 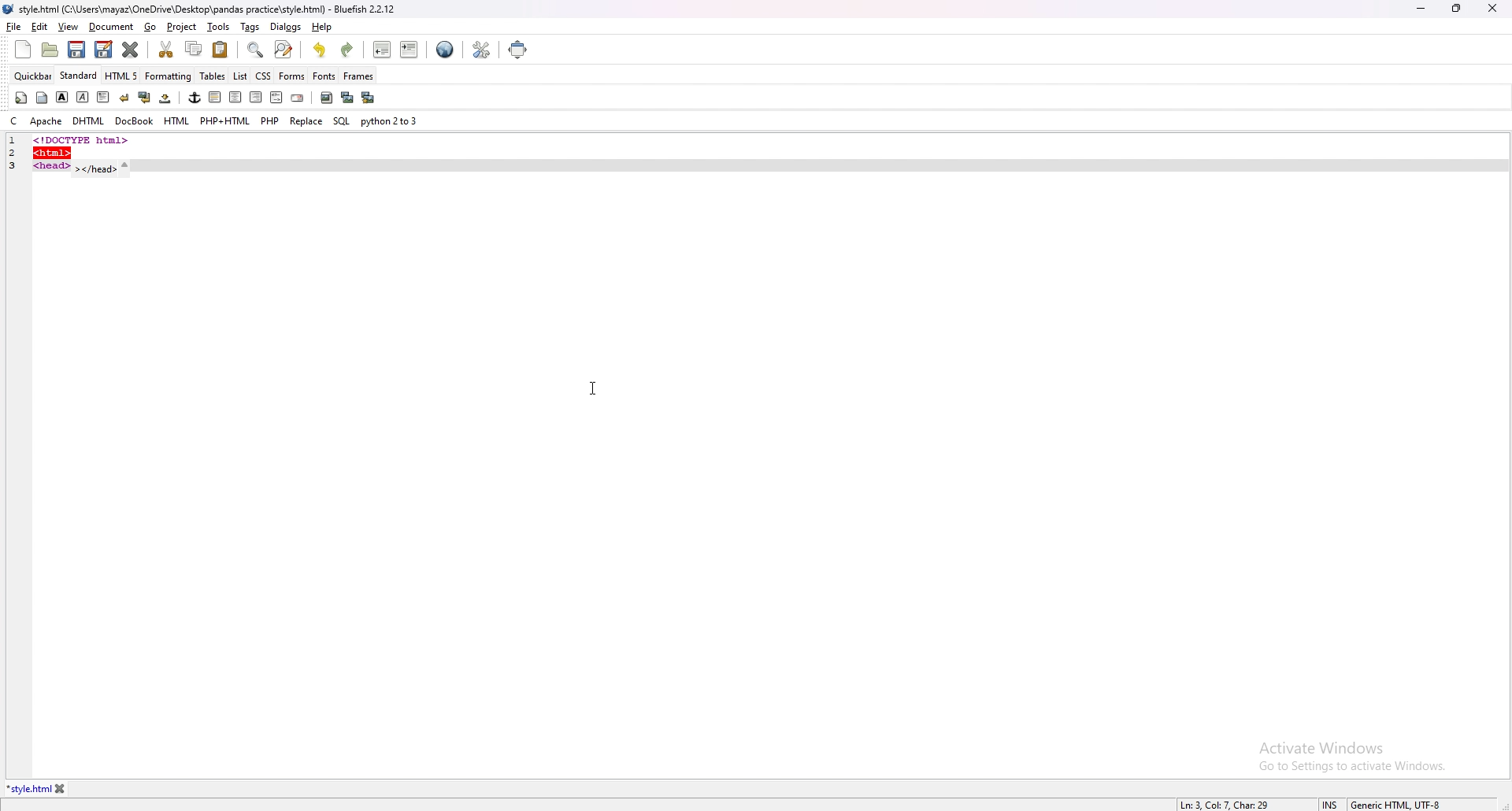 What do you see at coordinates (34, 76) in the screenshot?
I see `quickbar` at bounding box center [34, 76].